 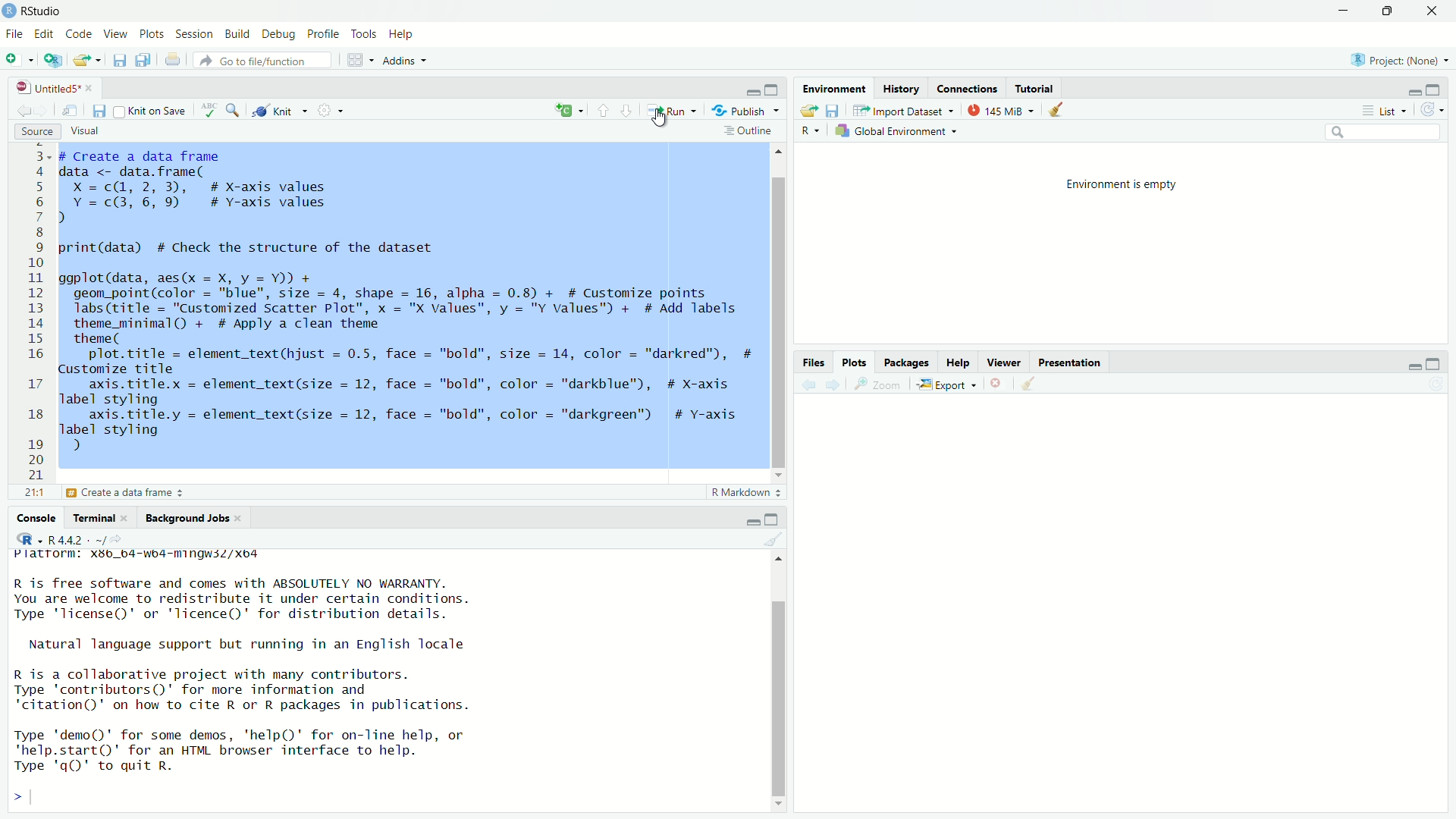 What do you see at coordinates (754, 523) in the screenshot?
I see `Minimize` at bounding box center [754, 523].